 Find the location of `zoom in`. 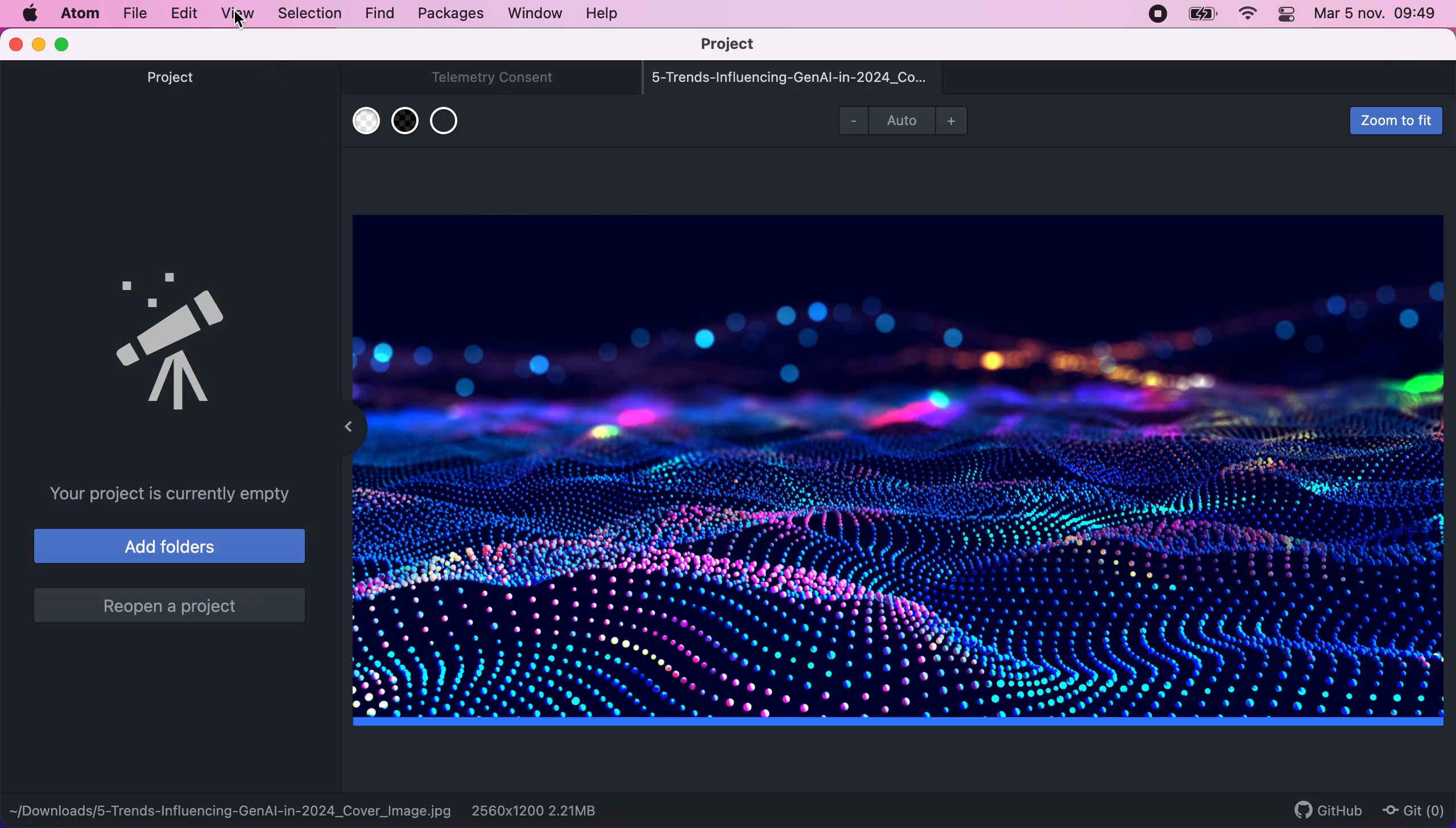

zoom in is located at coordinates (954, 124).